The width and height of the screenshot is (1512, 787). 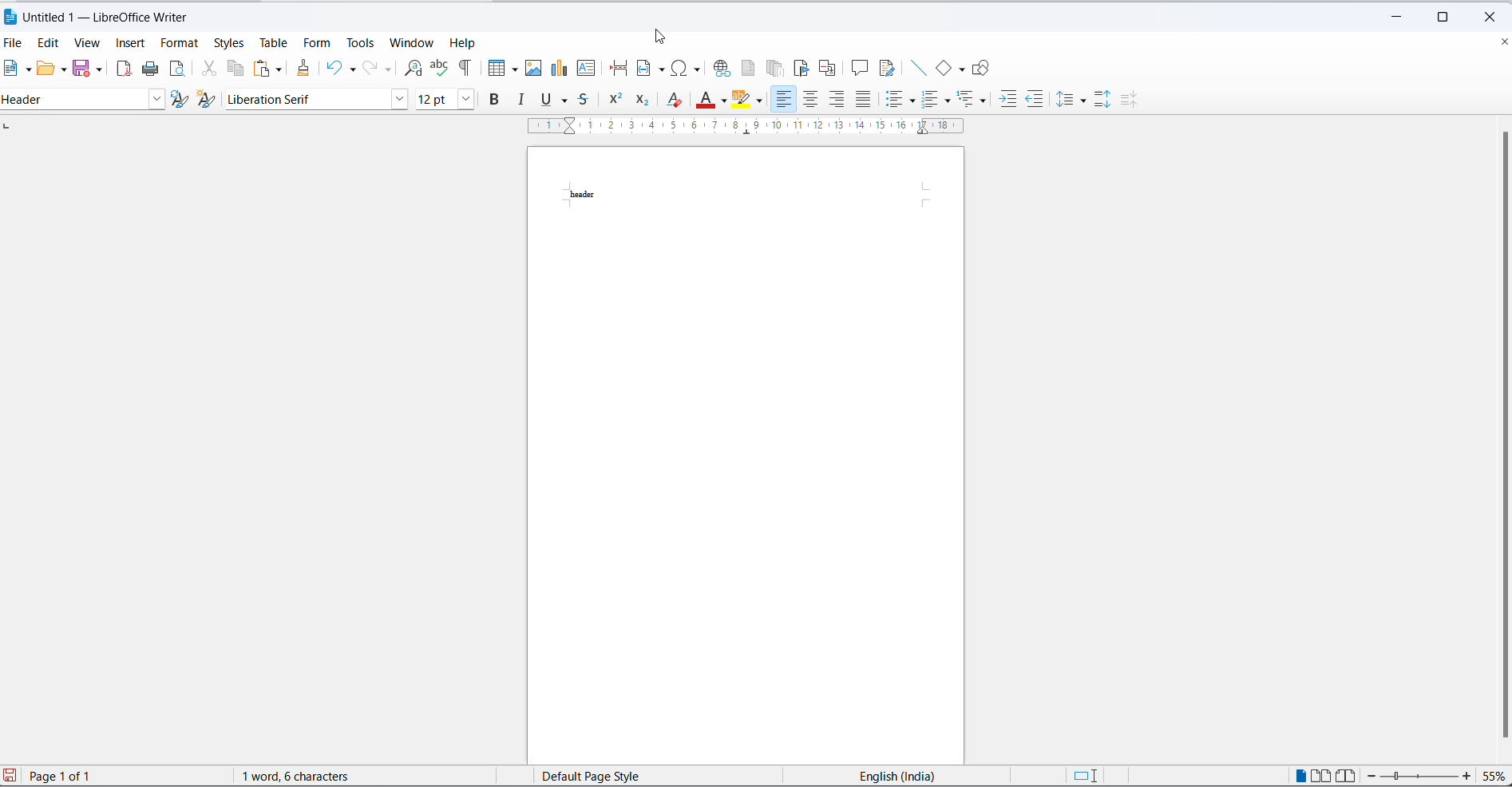 I want to click on English(India), so click(x=881, y=775).